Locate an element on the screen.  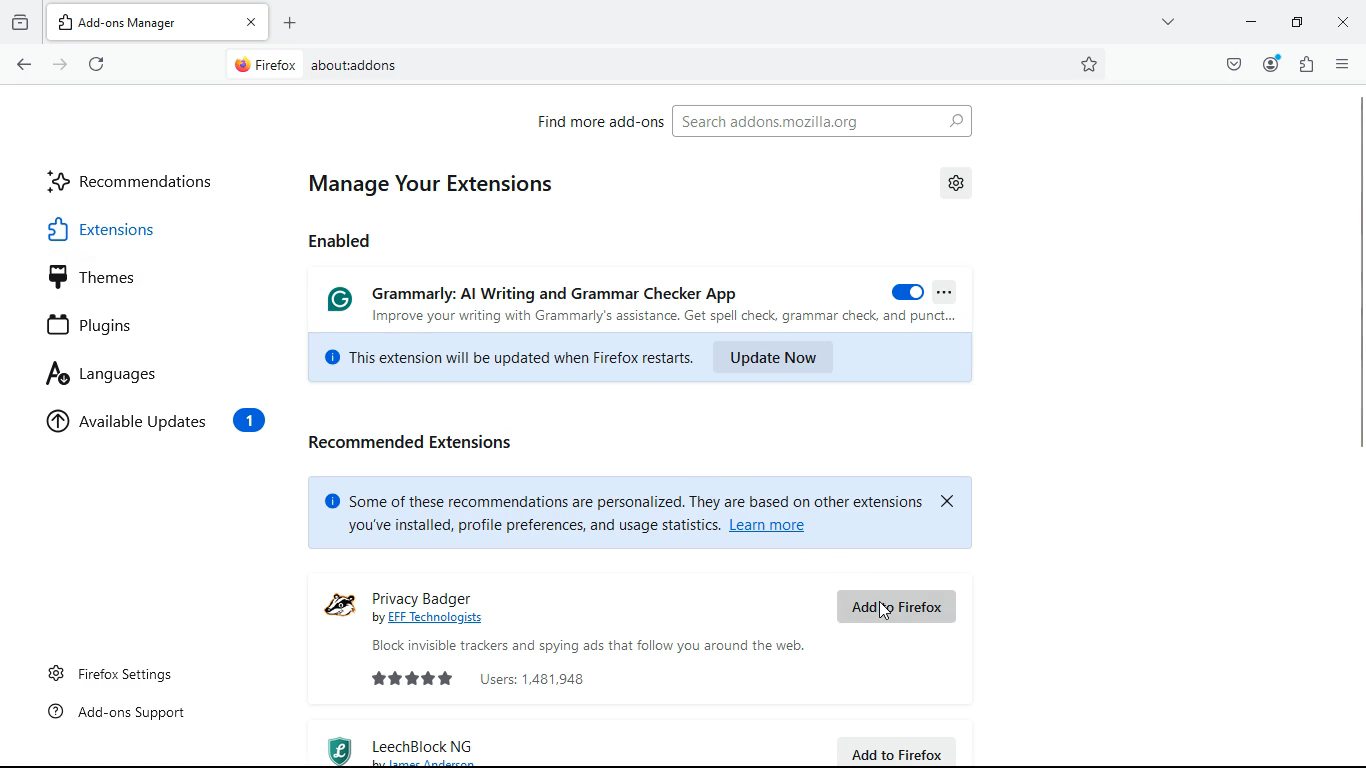
by EEE Technologists is located at coordinates (424, 619).